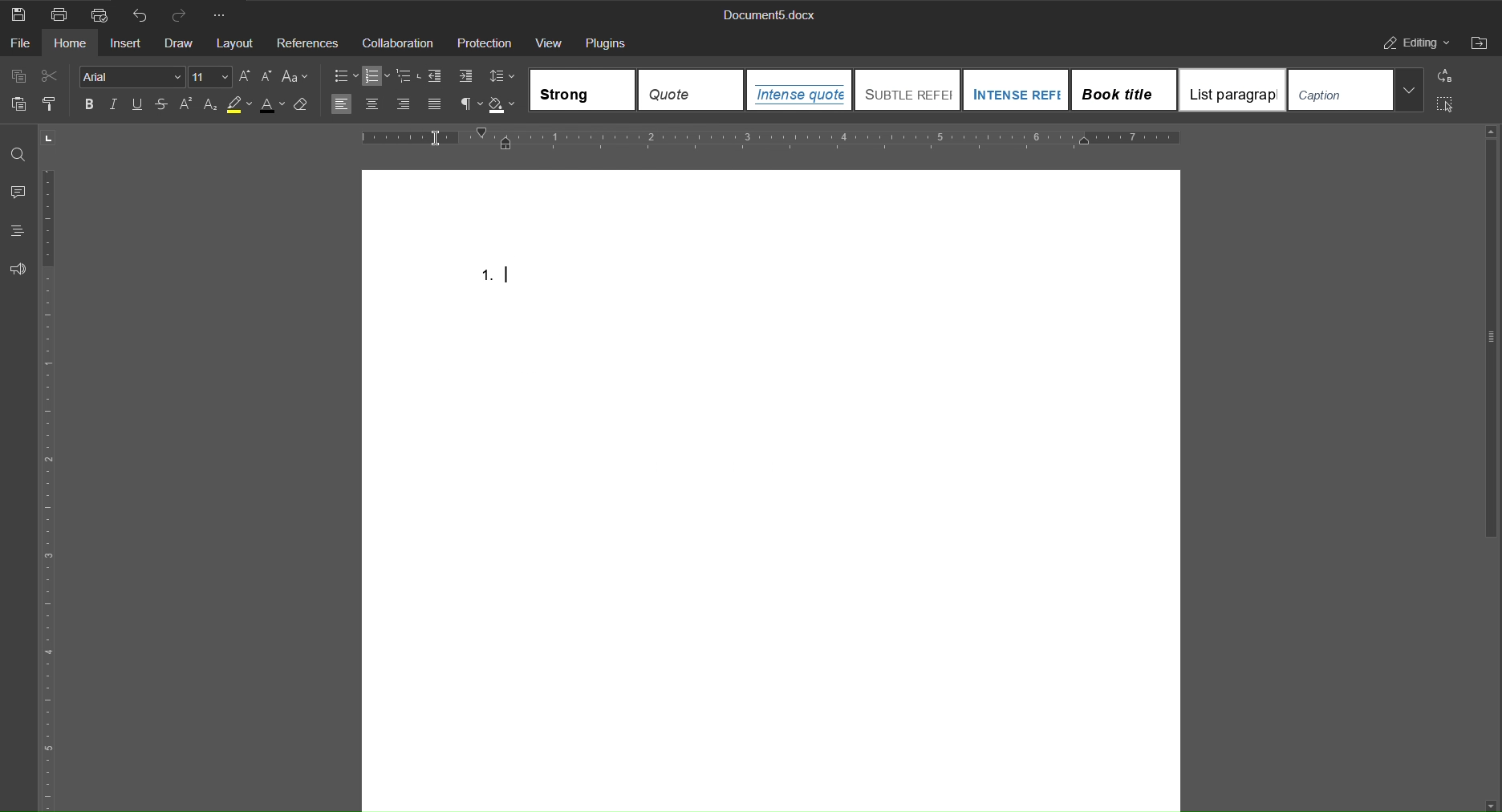 The height and width of the screenshot is (812, 1502). What do you see at coordinates (910, 91) in the screenshot?
I see `SUBTLE REFE...` at bounding box center [910, 91].